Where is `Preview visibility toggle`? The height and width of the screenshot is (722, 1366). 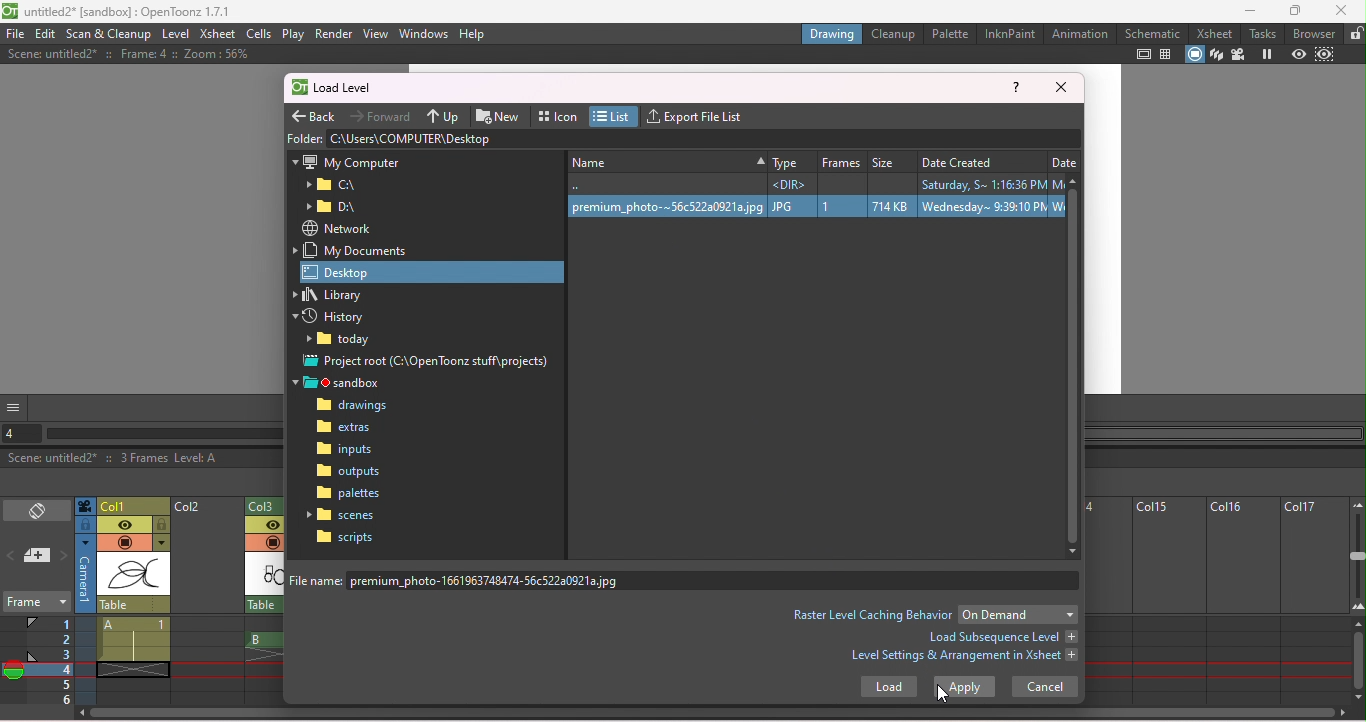 Preview visibility toggle is located at coordinates (124, 525).